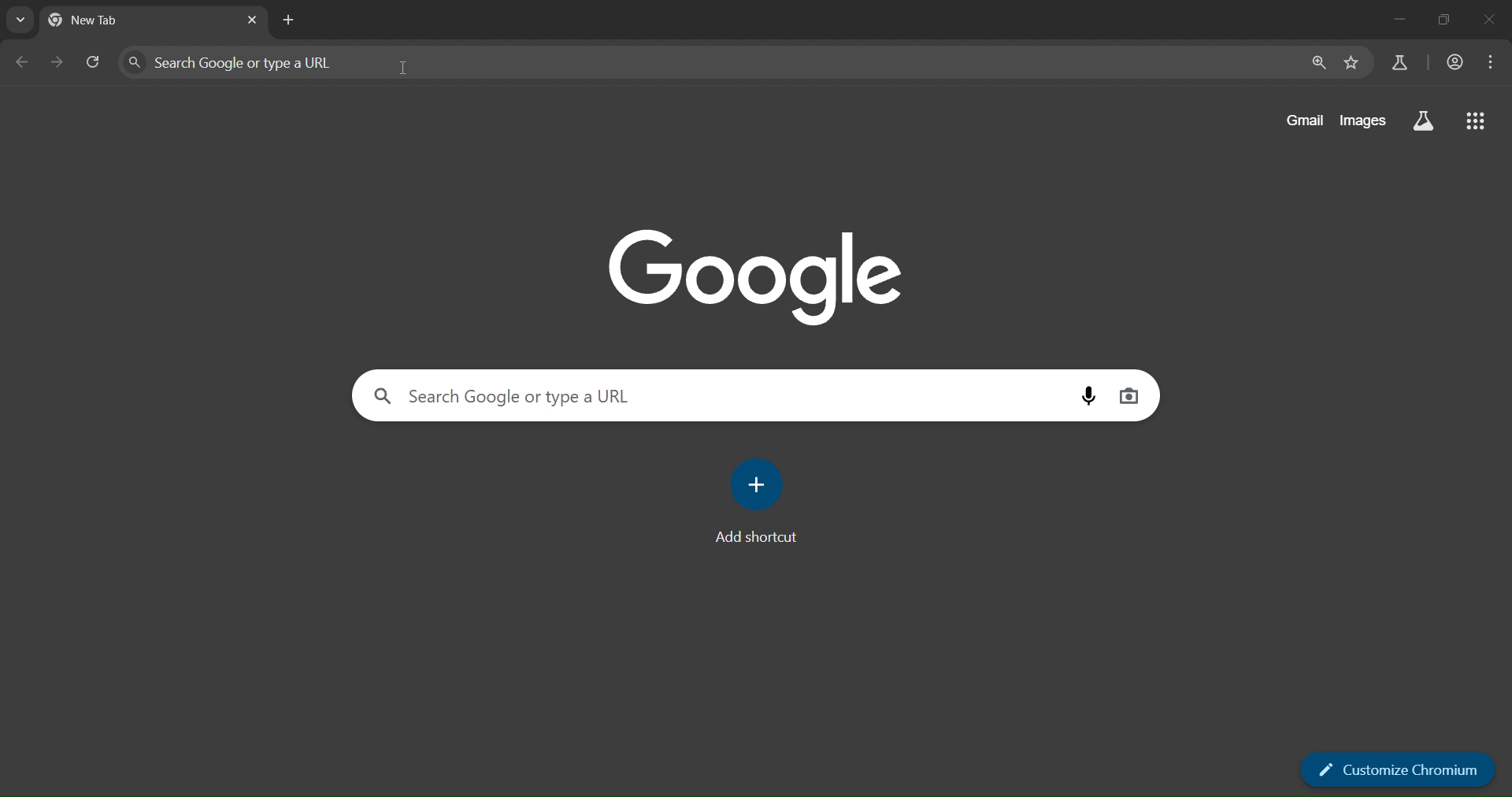 The image size is (1512, 797). I want to click on Search Google or type a URL, so click(231, 62).